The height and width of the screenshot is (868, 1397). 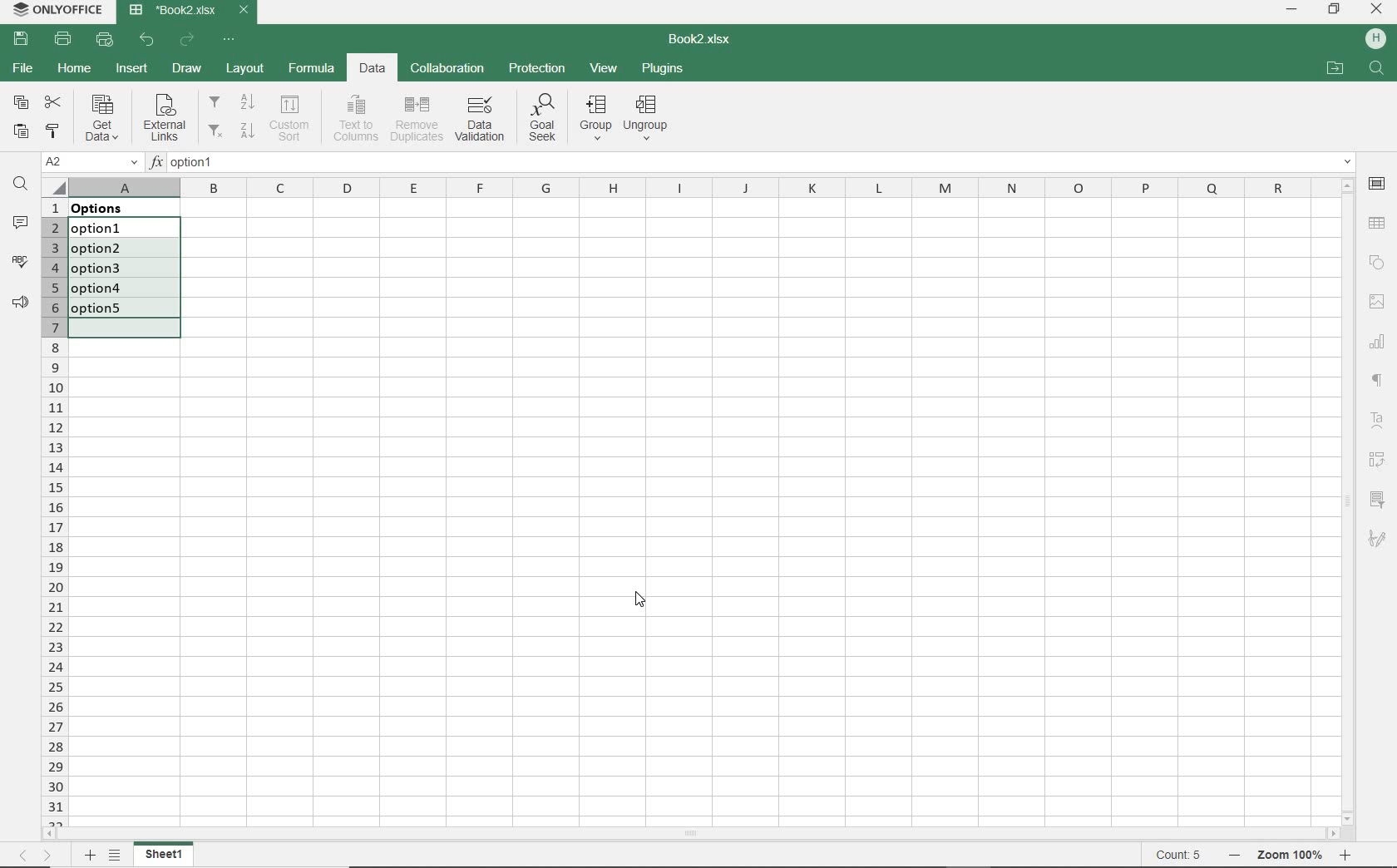 What do you see at coordinates (597, 120) in the screenshot?
I see `group` at bounding box center [597, 120].